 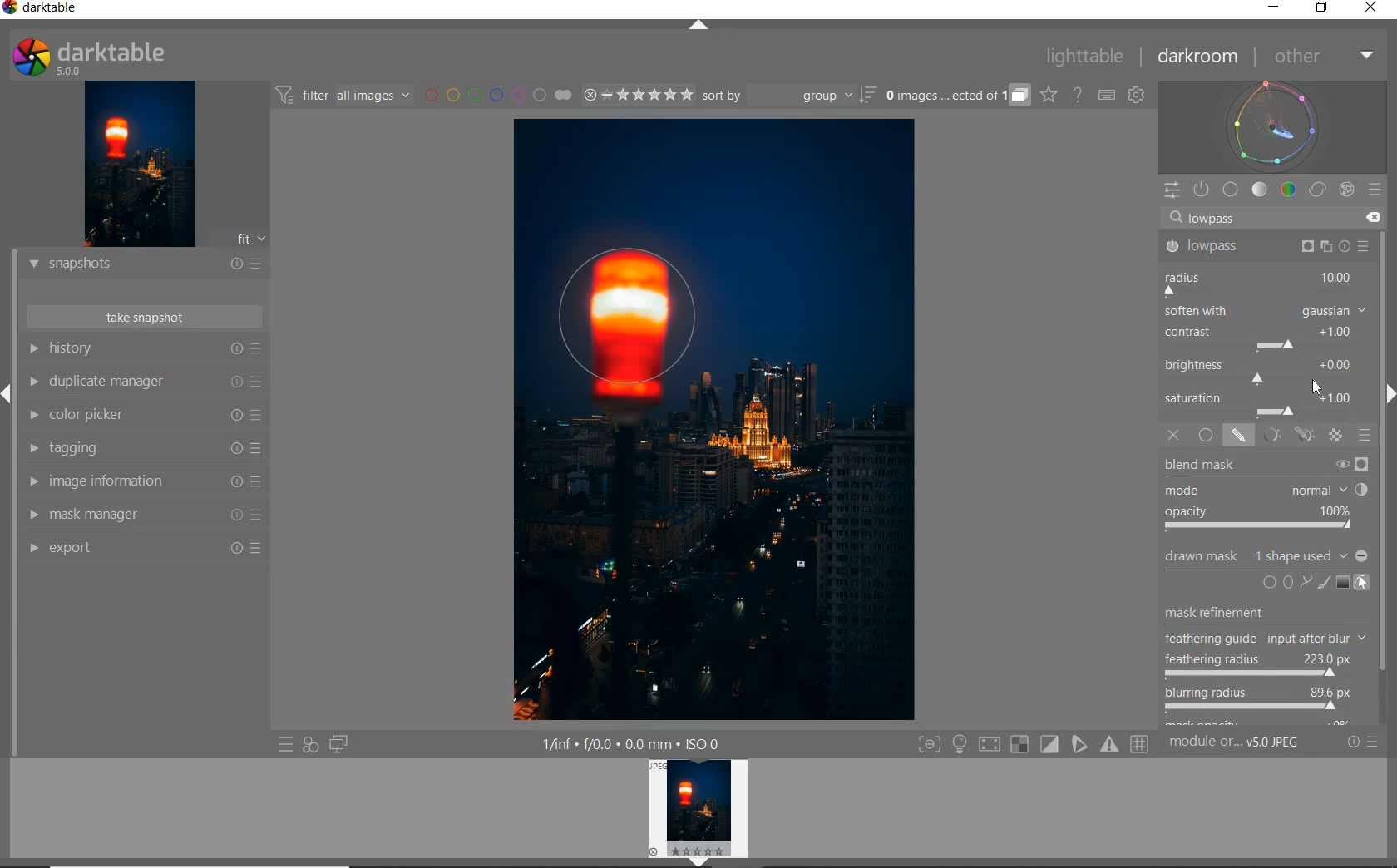 What do you see at coordinates (106, 56) in the screenshot?
I see `SYSTEM LOG` at bounding box center [106, 56].